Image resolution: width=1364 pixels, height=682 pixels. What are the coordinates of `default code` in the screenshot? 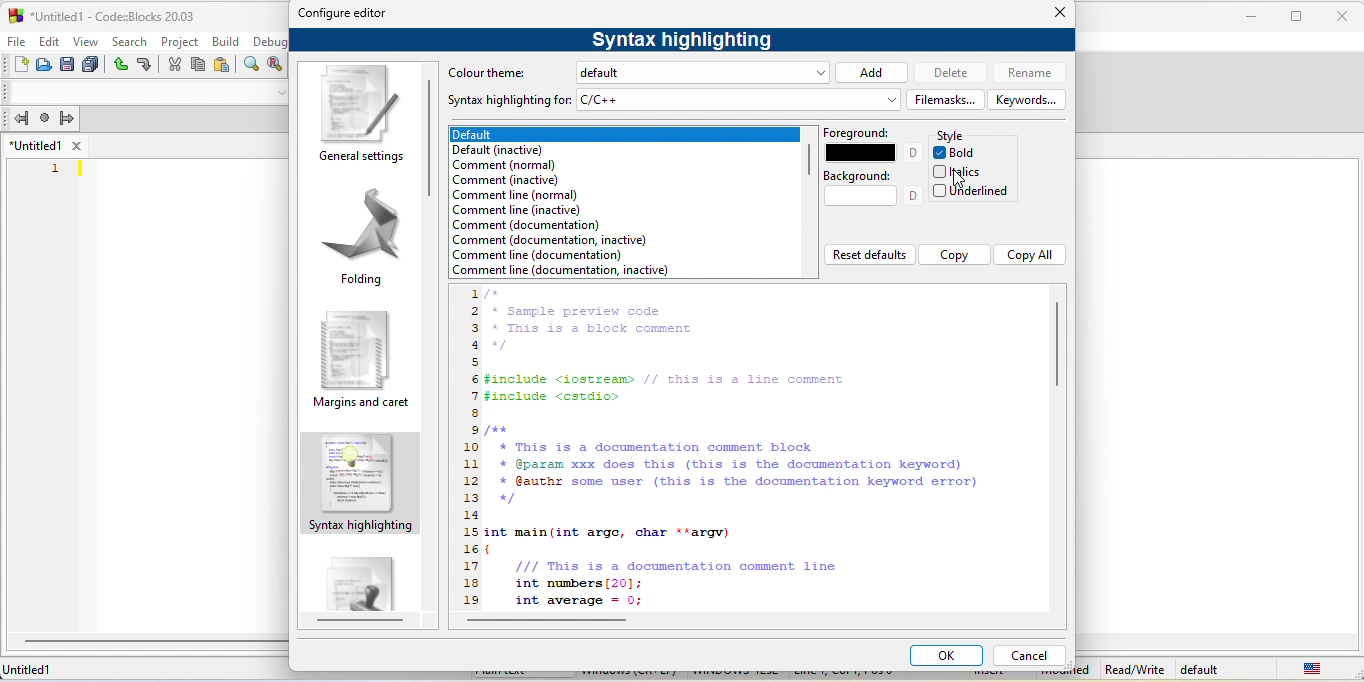 It's located at (360, 577).